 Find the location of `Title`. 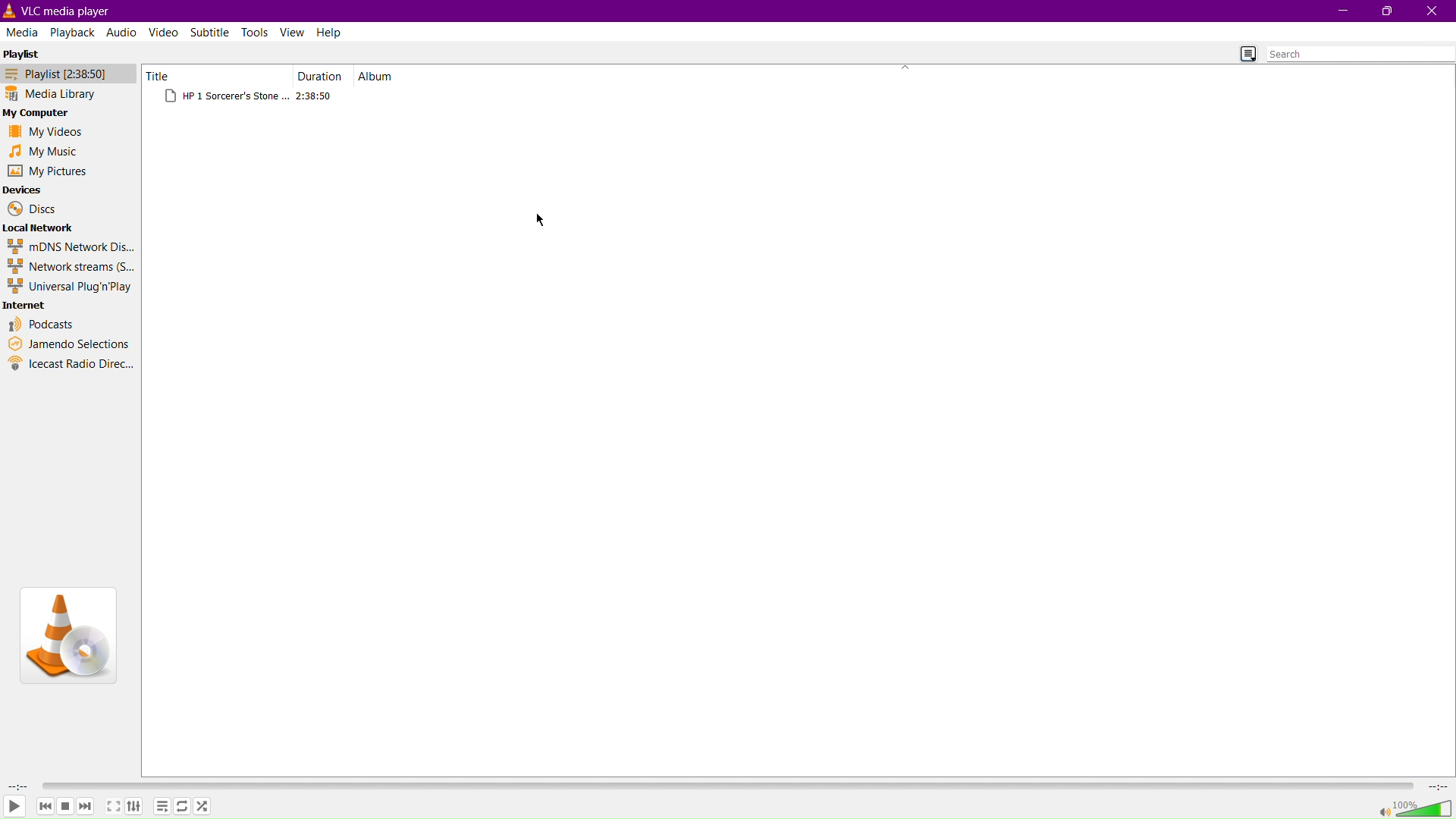

Title is located at coordinates (171, 76).